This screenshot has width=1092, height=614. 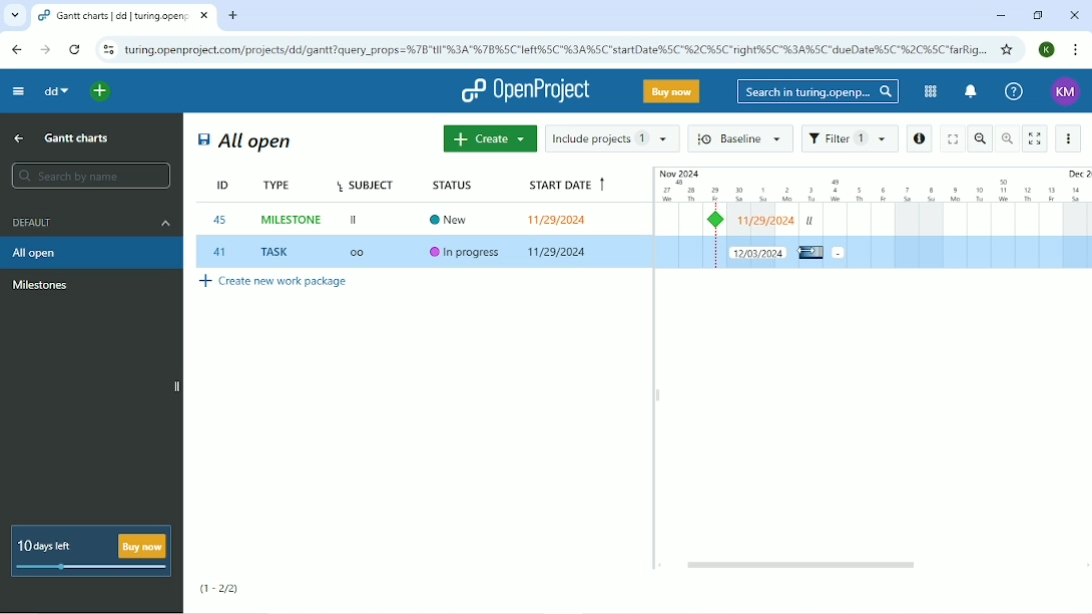 What do you see at coordinates (658, 395) in the screenshot?
I see `Resize` at bounding box center [658, 395].